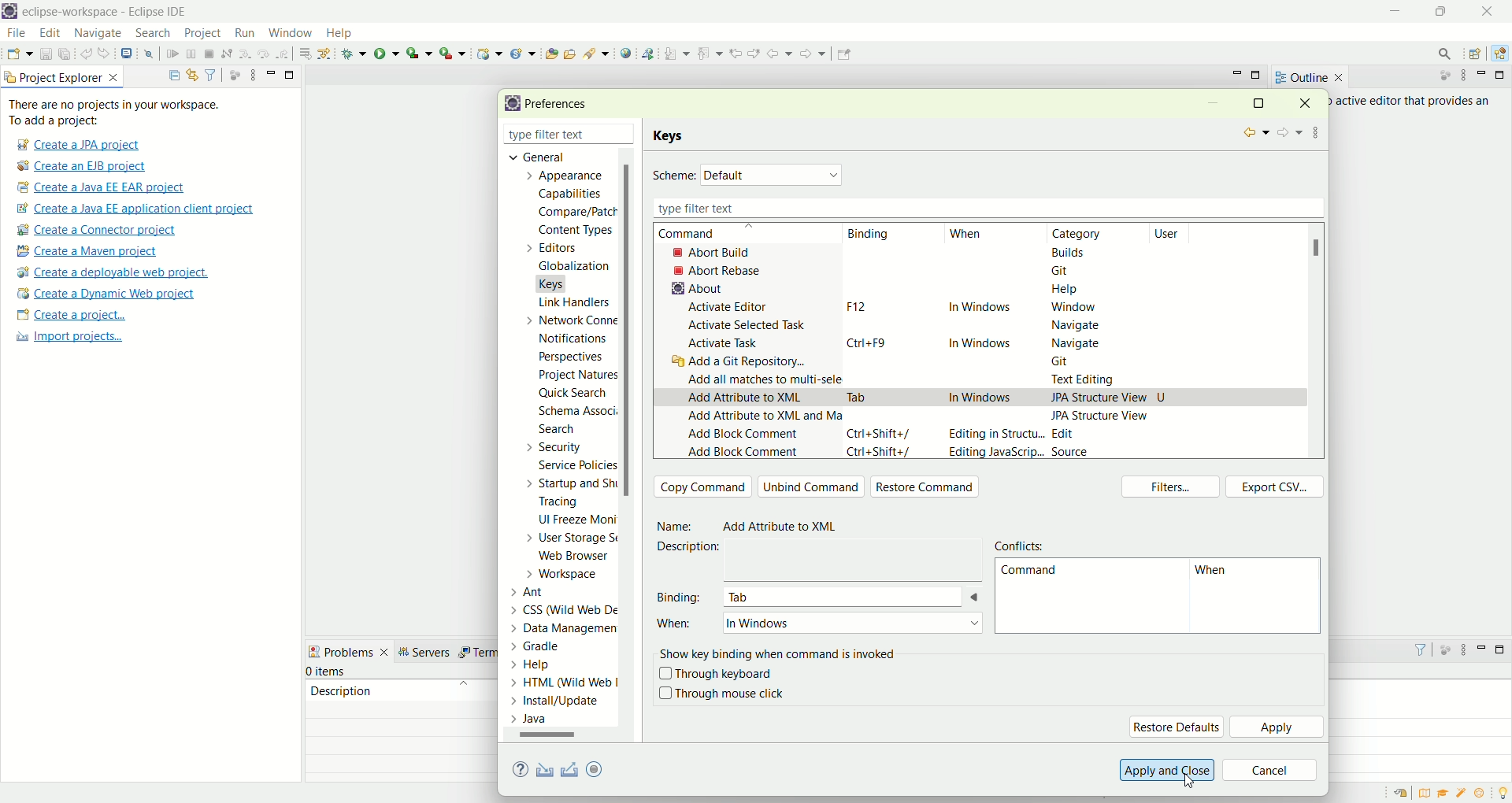  I want to click on maximize, so click(1258, 102).